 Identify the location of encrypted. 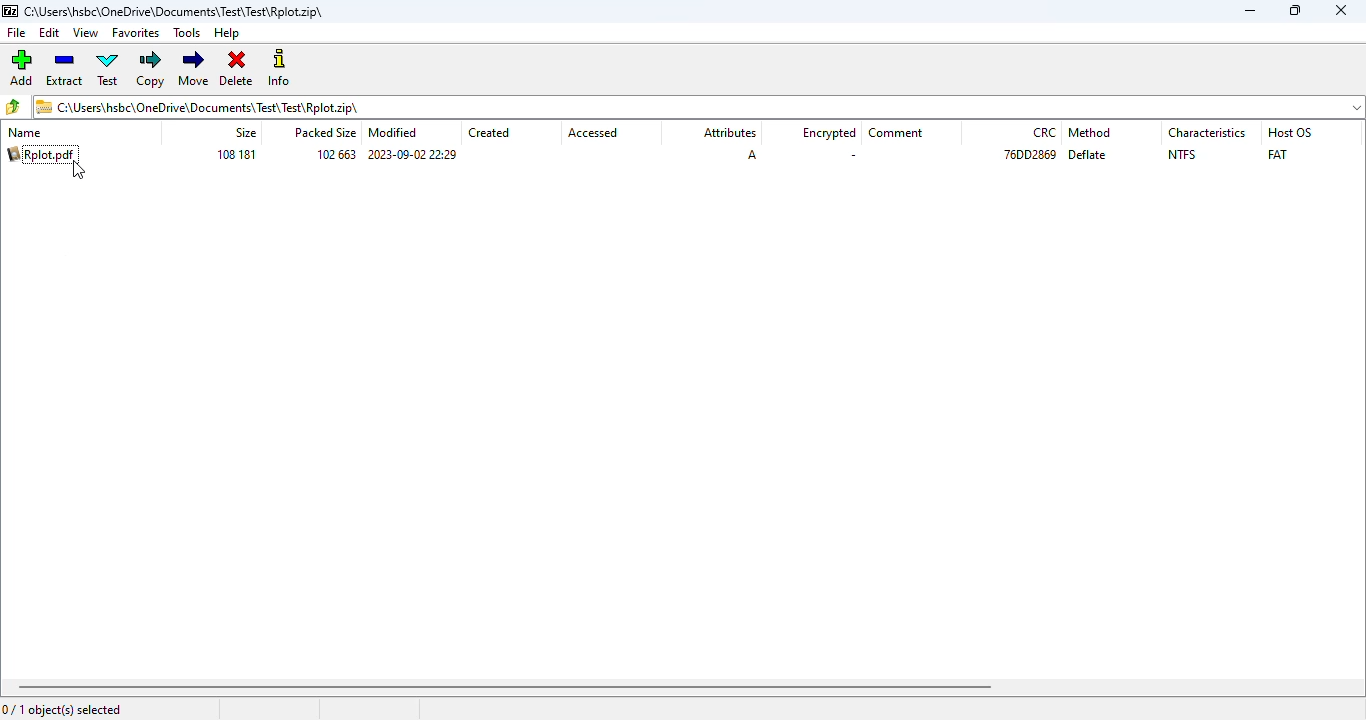
(830, 133).